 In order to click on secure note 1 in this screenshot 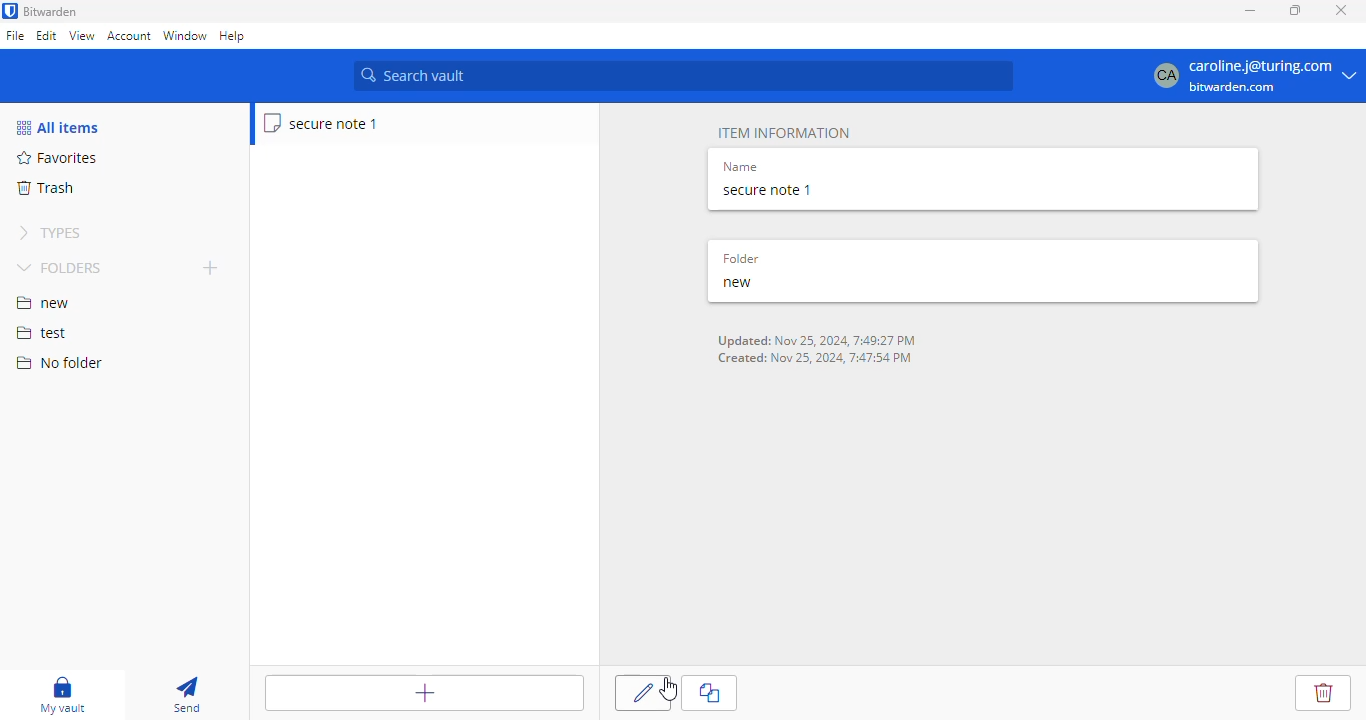, I will do `click(322, 123)`.